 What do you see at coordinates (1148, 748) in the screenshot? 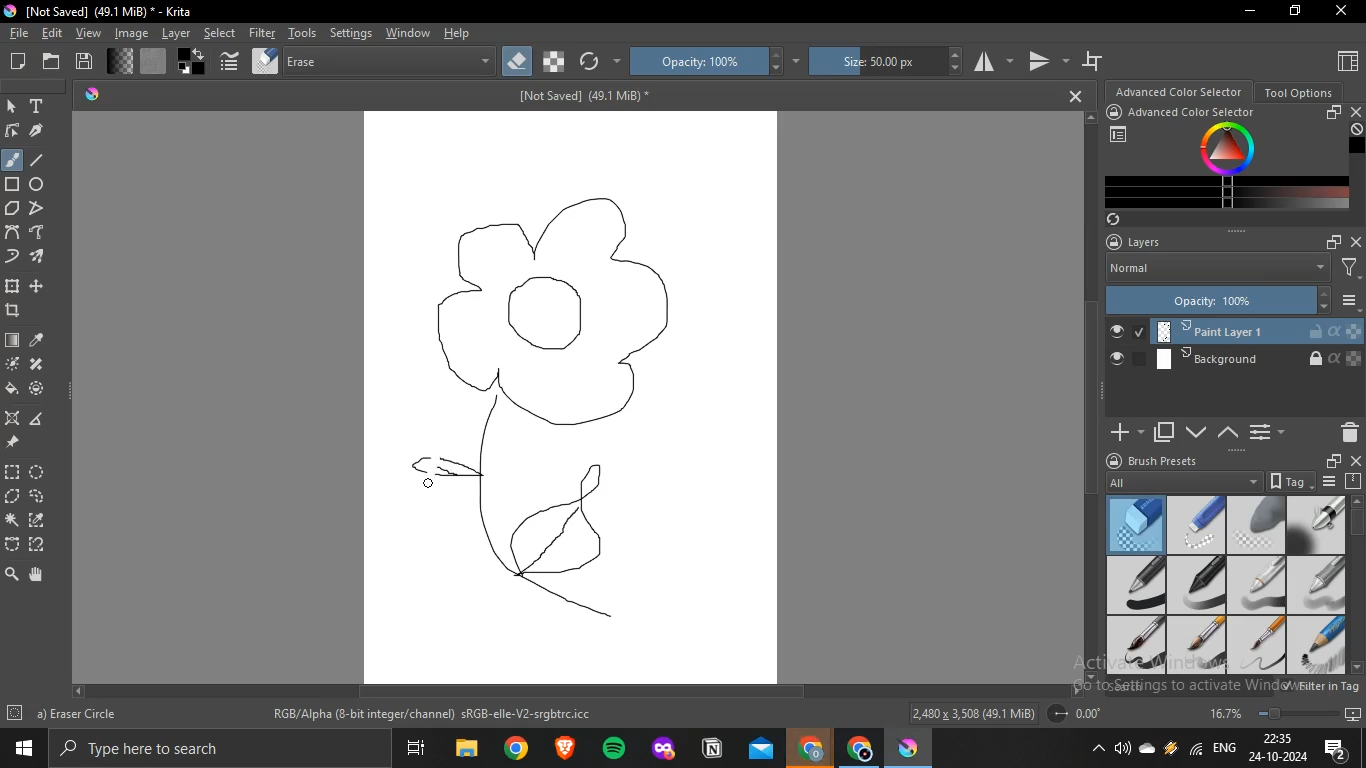
I see `one drive` at bounding box center [1148, 748].